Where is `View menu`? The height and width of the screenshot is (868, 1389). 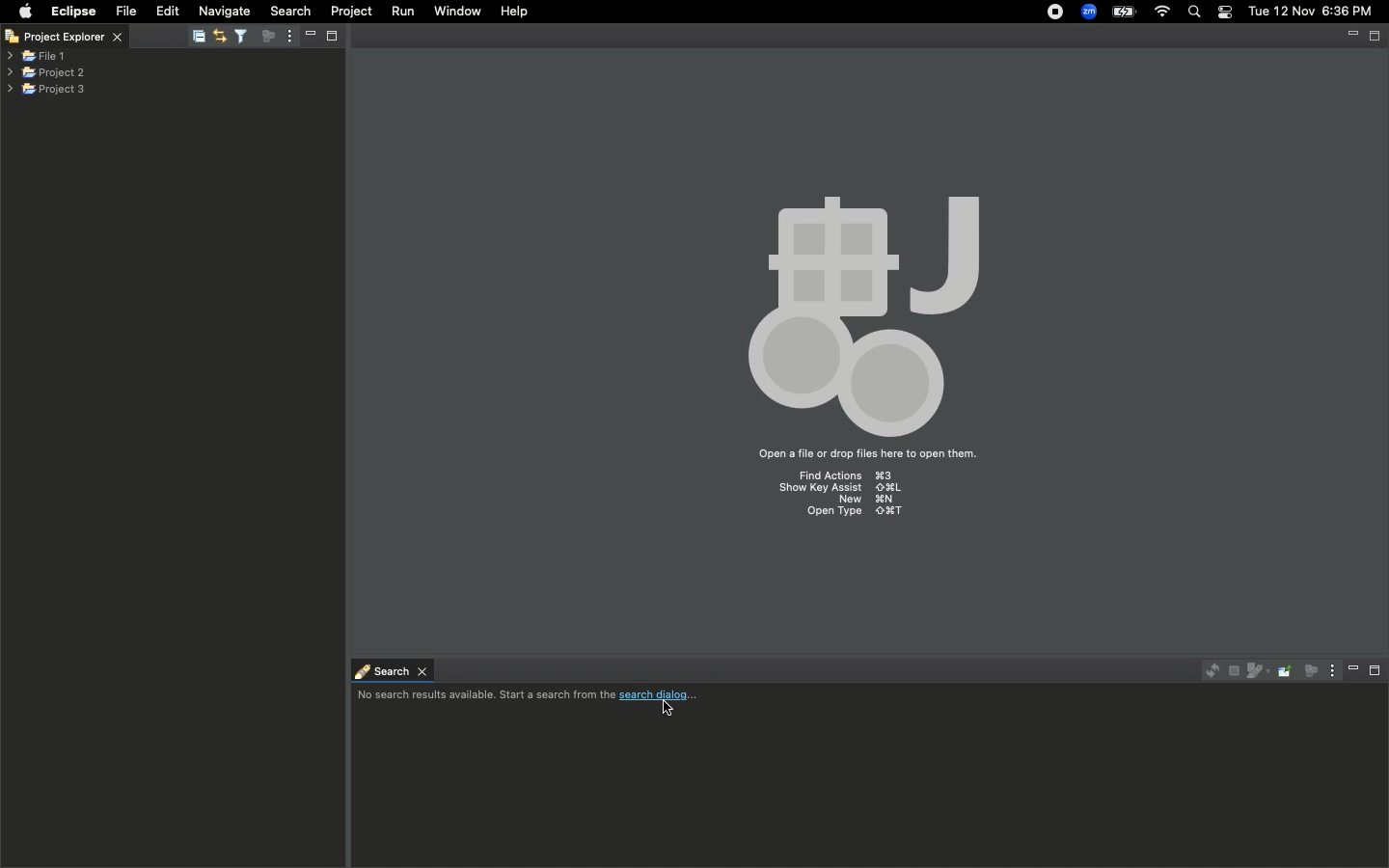
View menu is located at coordinates (1329, 670).